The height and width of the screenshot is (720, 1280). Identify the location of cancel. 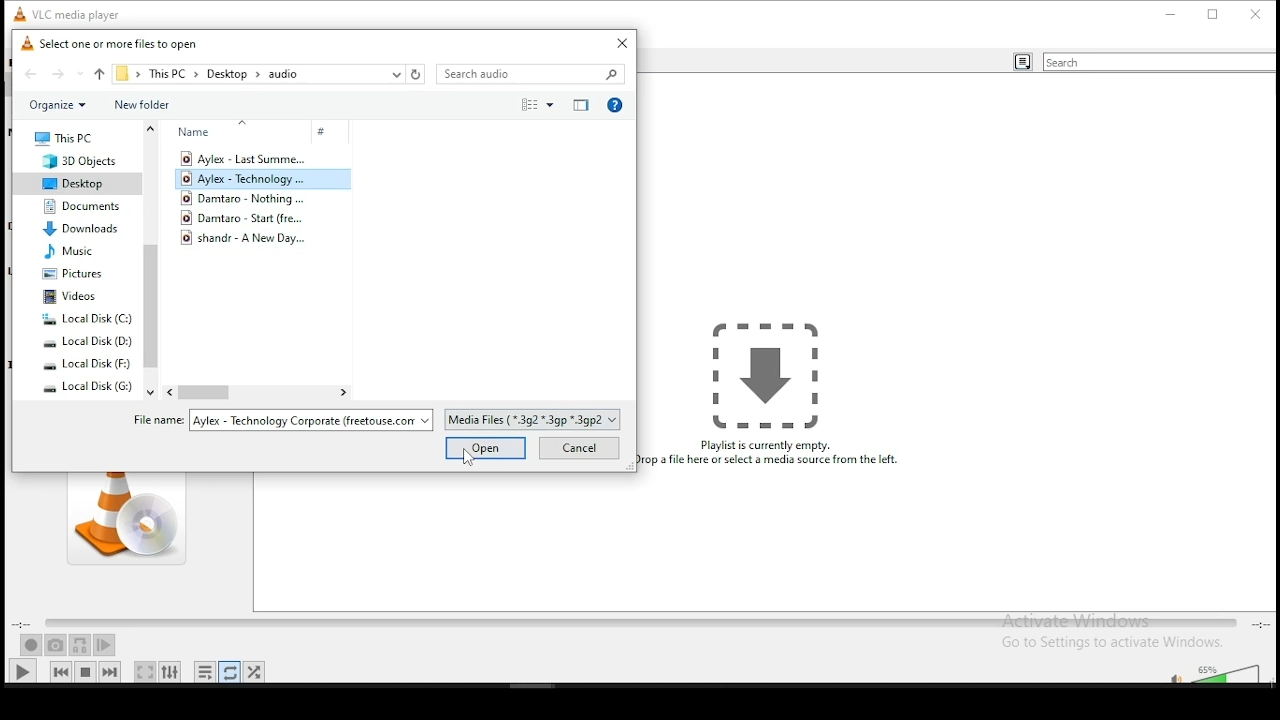
(577, 450).